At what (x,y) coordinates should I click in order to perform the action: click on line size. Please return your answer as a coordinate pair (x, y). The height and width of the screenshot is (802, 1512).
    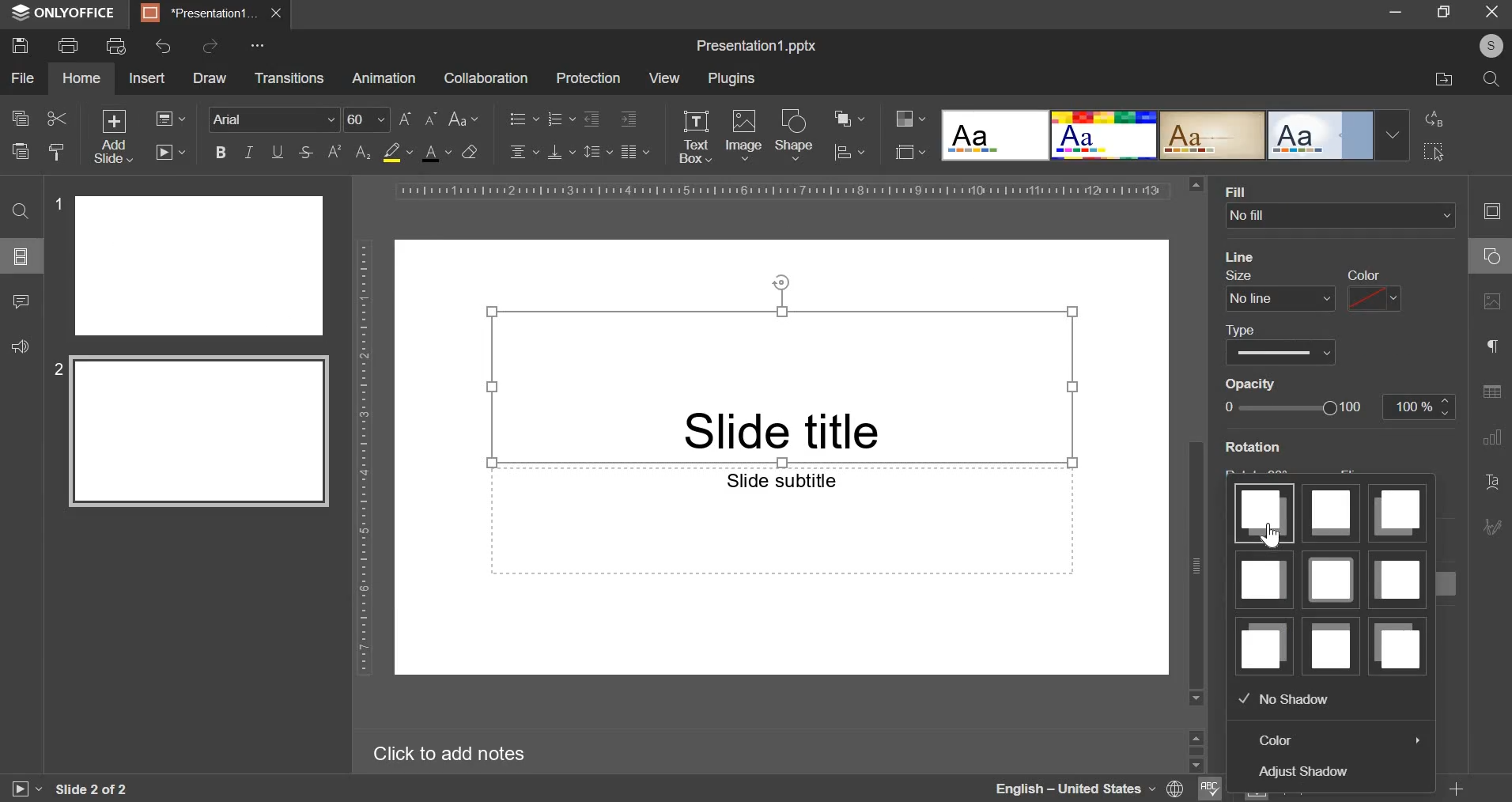
    Looking at the image, I should click on (1279, 289).